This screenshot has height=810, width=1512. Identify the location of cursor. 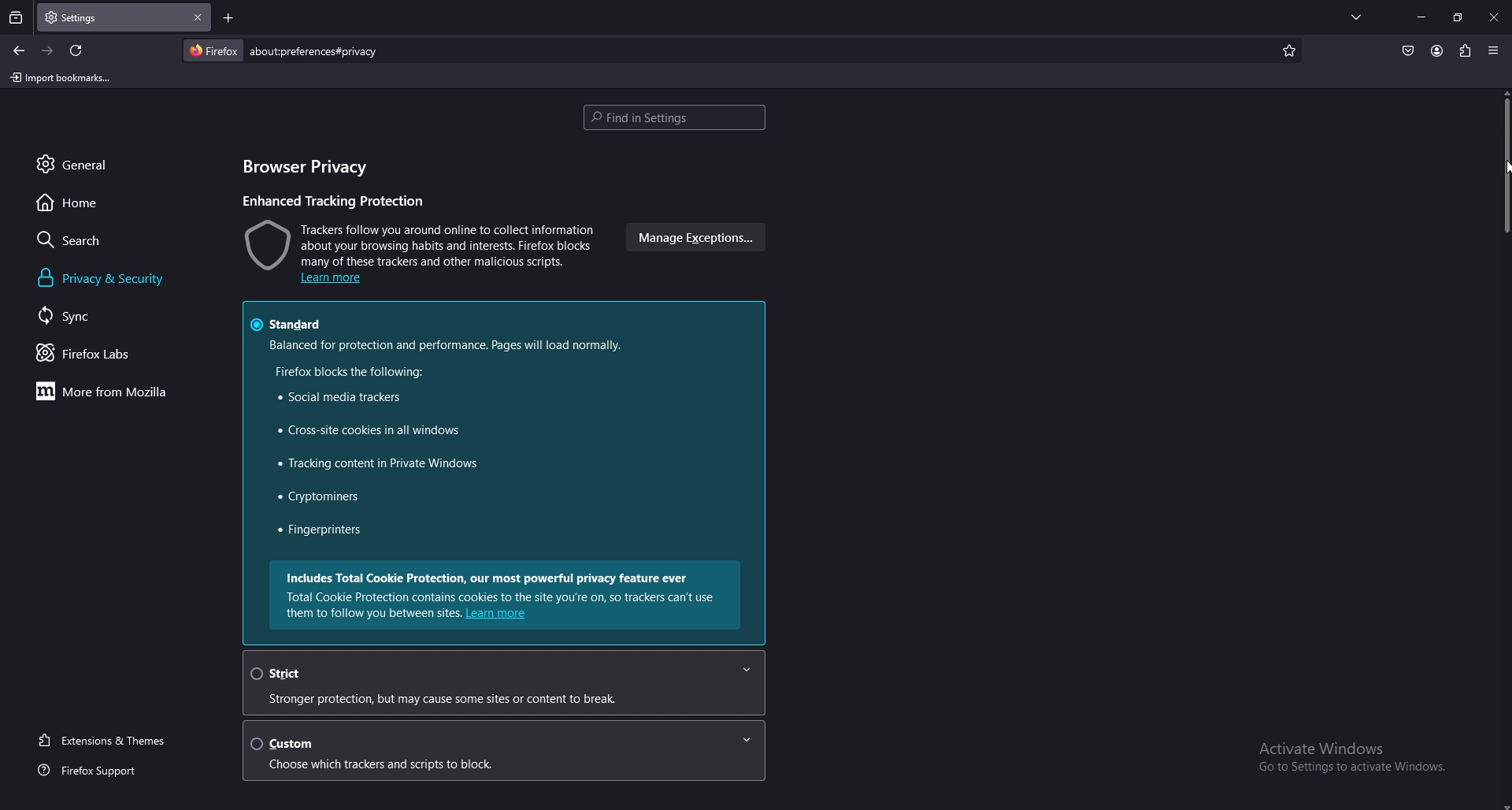
(1503, 165).